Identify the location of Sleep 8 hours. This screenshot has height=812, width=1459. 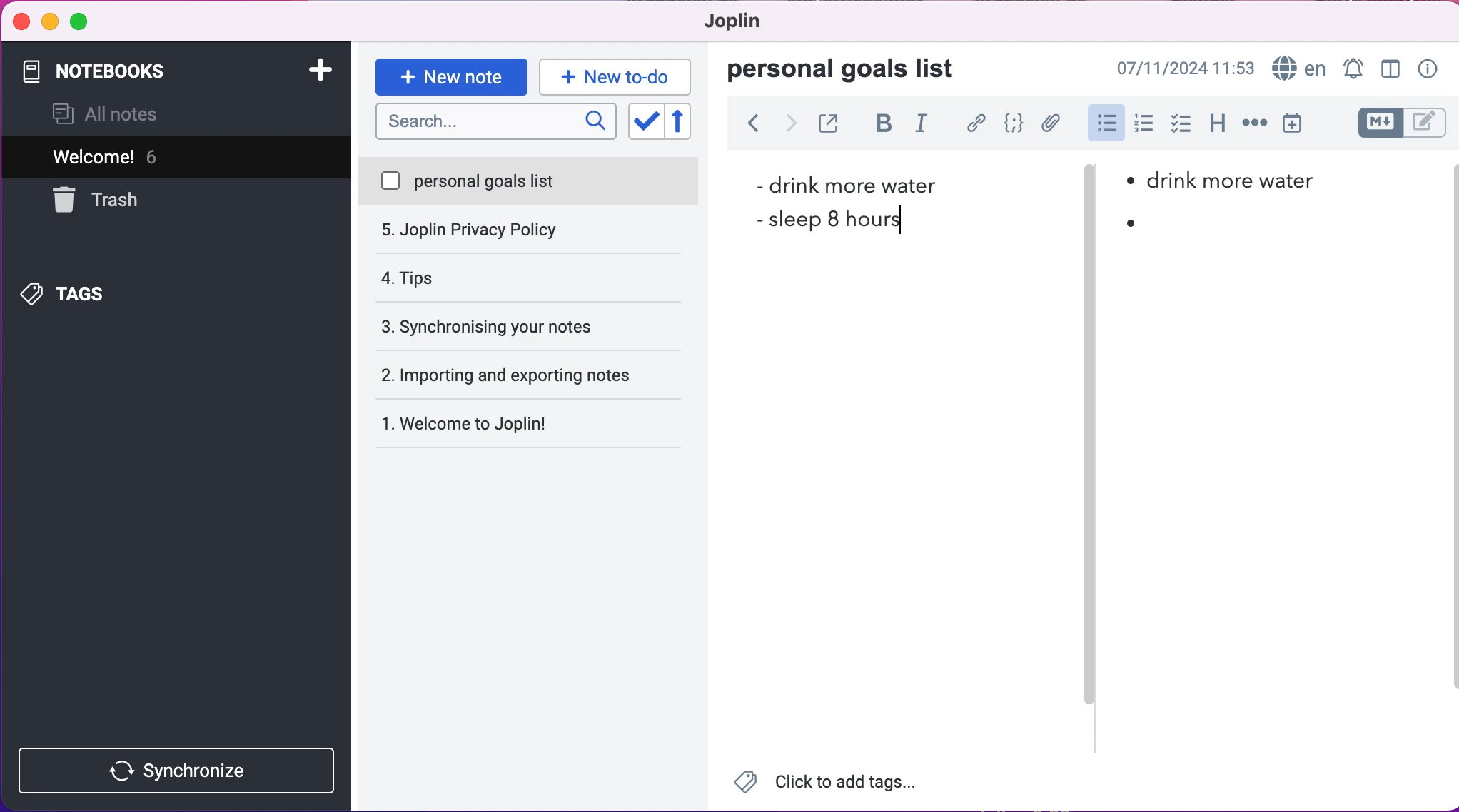
(838, 218).